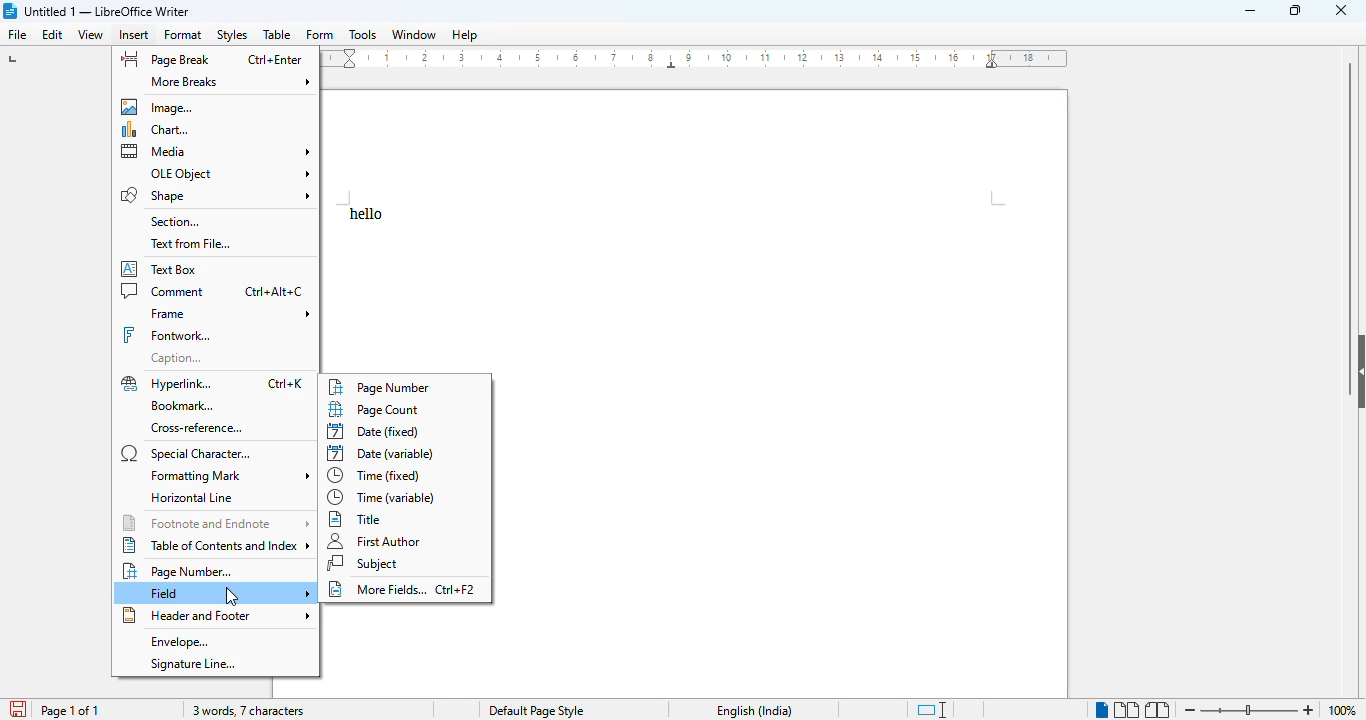  I want to click on text from file, so click(191, 243).